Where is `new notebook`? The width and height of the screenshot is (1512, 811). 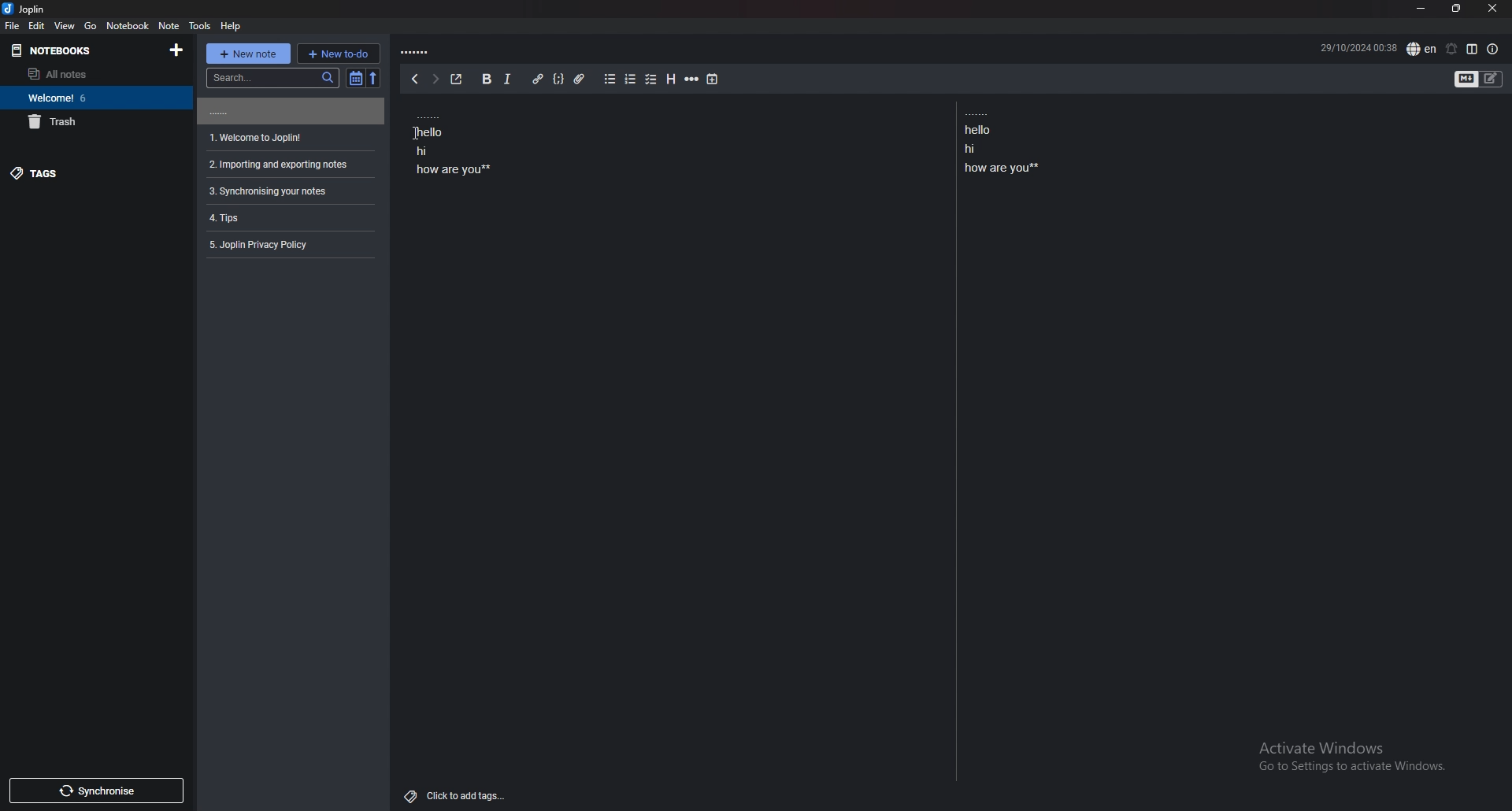 new notebook is located at coordinates (178, 50).